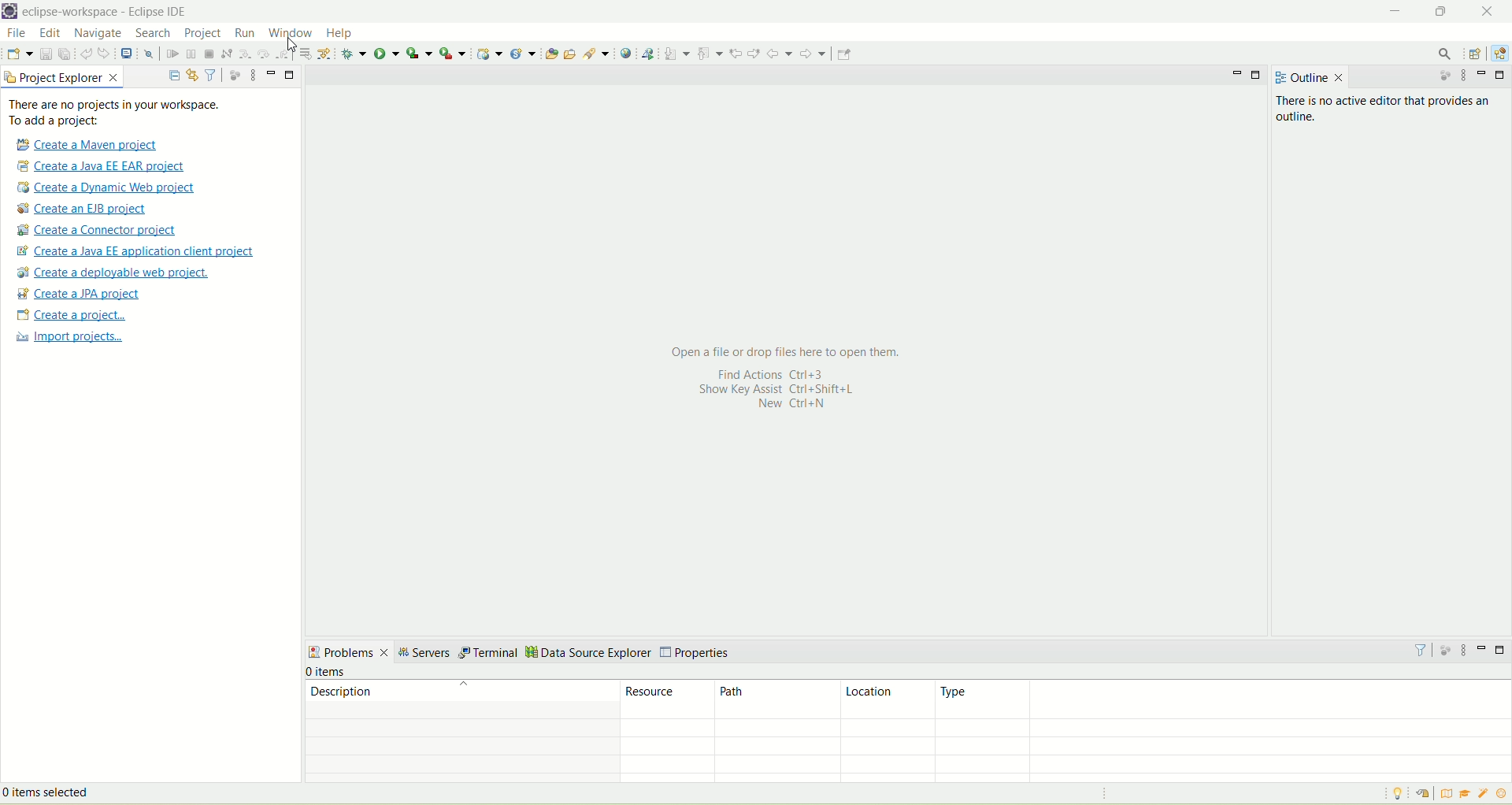 This screenshot has width=1512, height=805. What do you see at coordinates (763, 374) in the screenshot?
I see `Find actions Ctrl+3` at bounding box center [763, 374].